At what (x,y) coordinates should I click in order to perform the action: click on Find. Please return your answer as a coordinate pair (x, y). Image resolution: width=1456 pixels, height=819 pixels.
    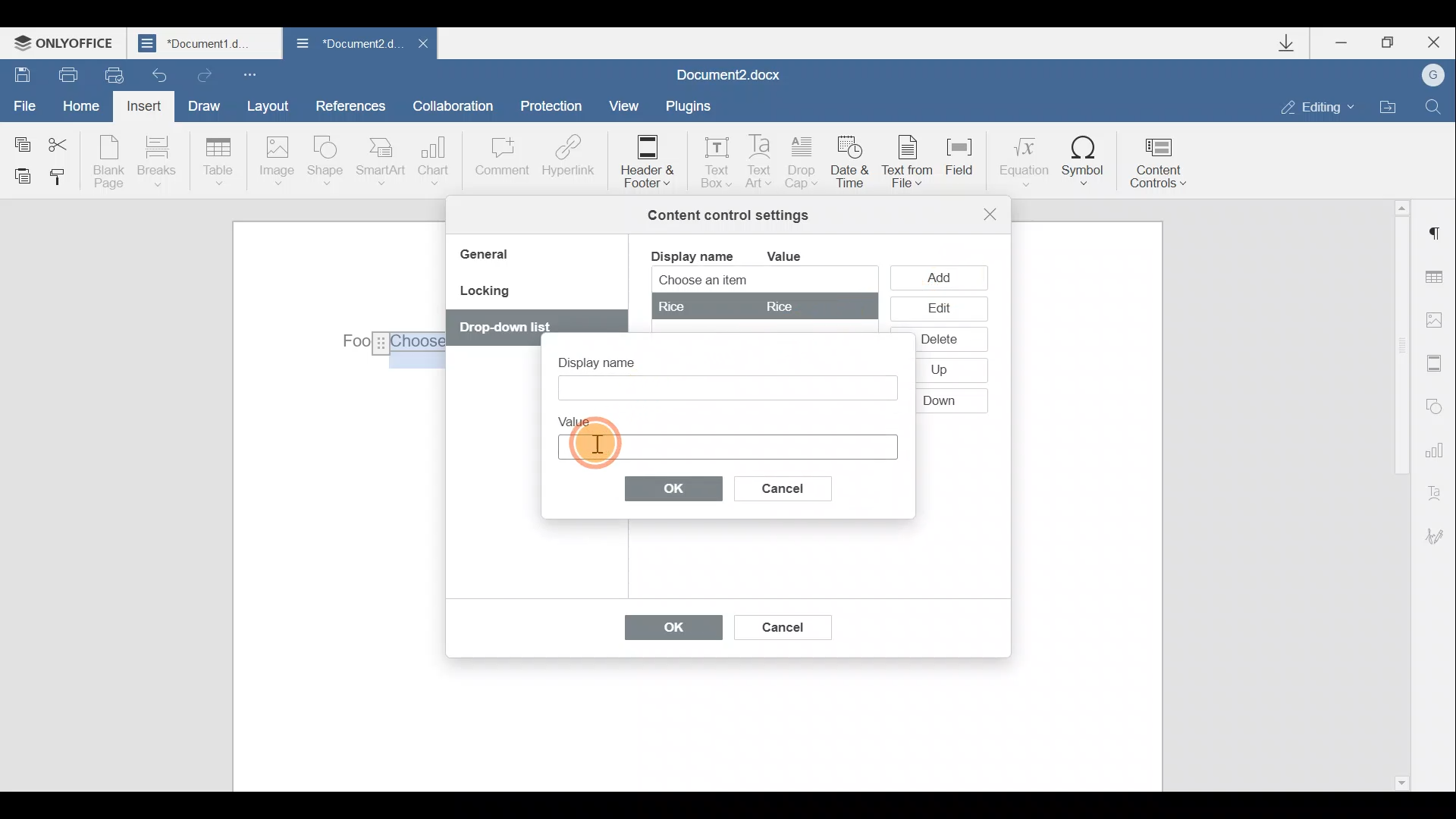
    Looking at the image, I should click on (1434, 106).